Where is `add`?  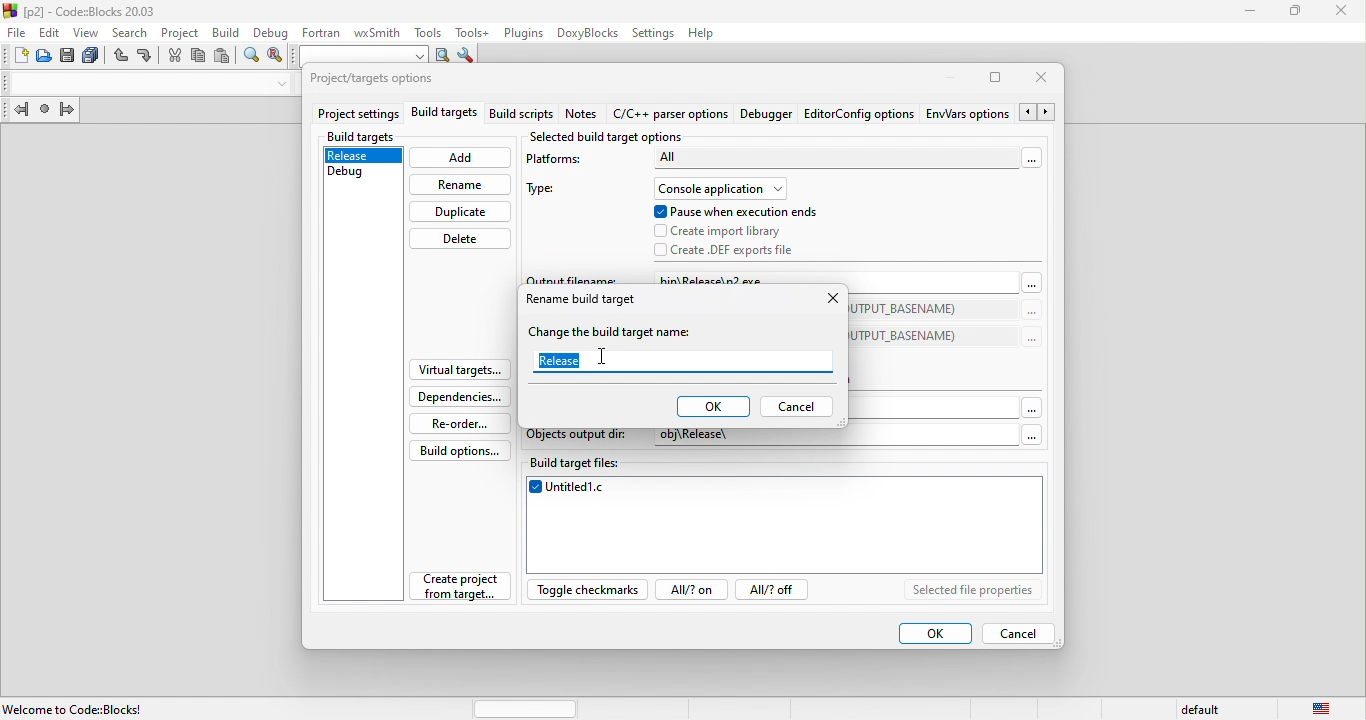 add is located at coordinates (461, 158).